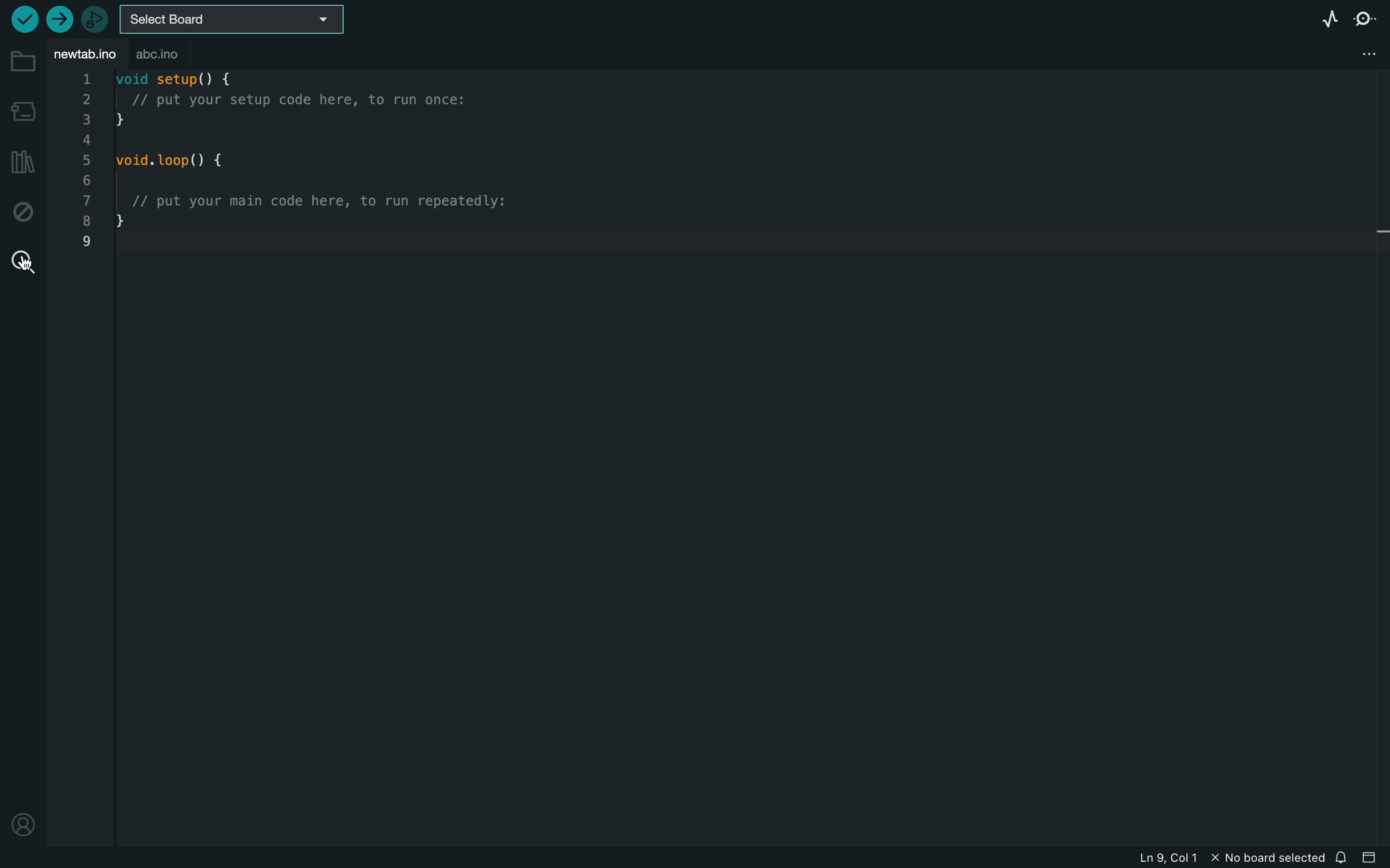 The image size is (1390, 868). Describe the element at coordinates (1354, 55) in the screenshot. I see `file setting` at that location.